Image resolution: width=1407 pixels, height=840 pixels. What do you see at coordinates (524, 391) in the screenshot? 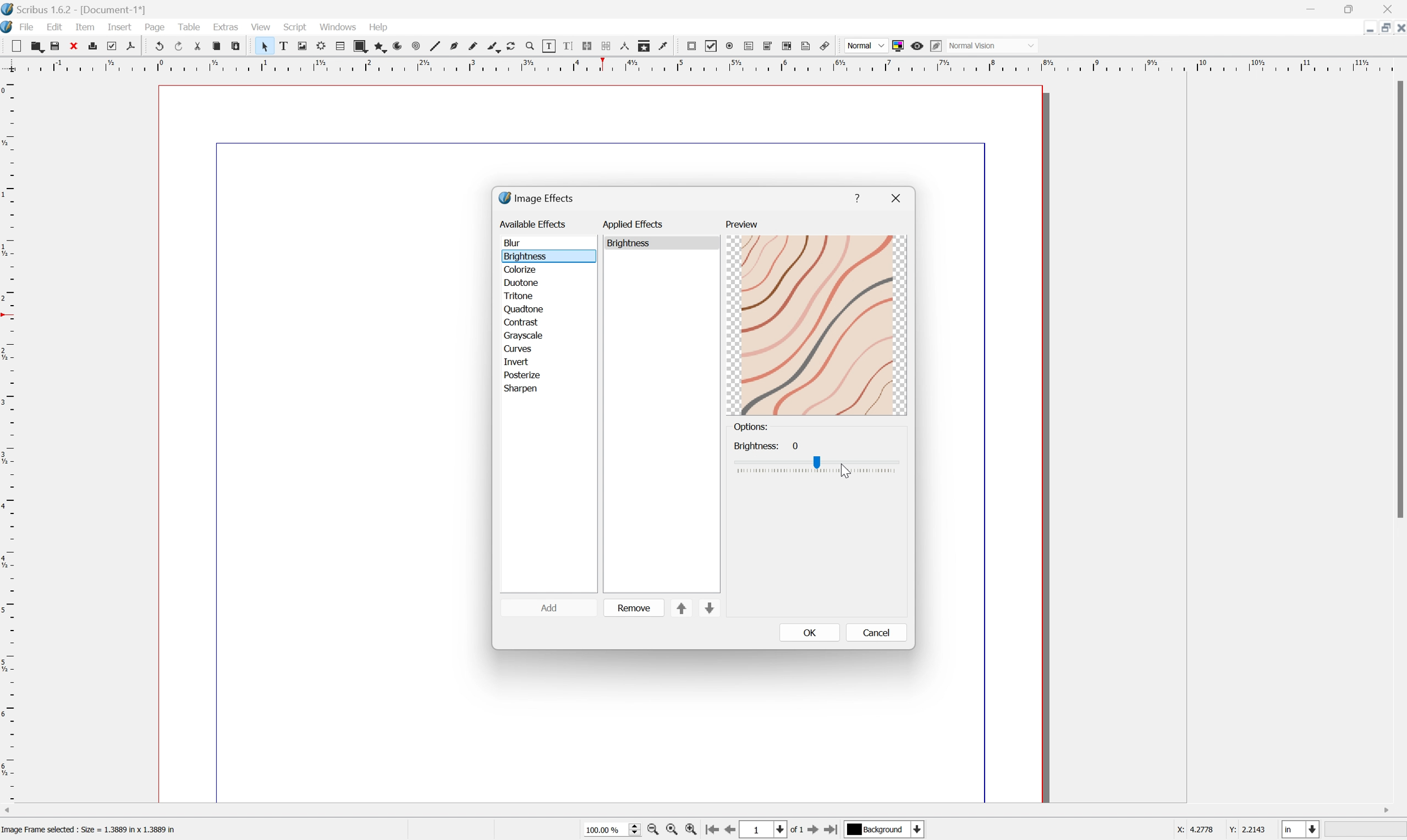
I see `sharpen` at bounding box center [524, 391].